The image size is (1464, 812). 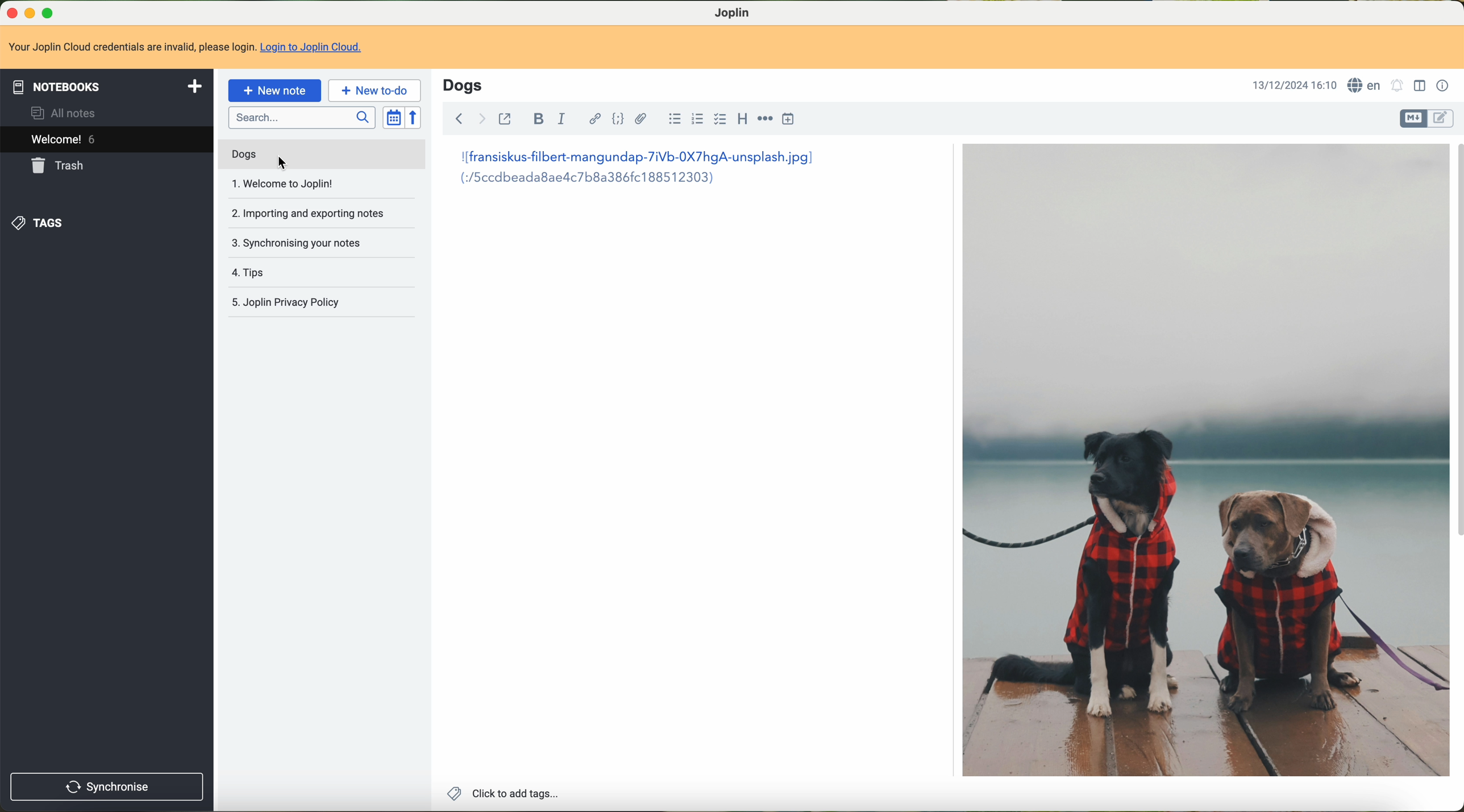 What do you see at coordinates (1396, 85) in the screenshot?
I see `set alarm` at bounding box center [1396, 85].